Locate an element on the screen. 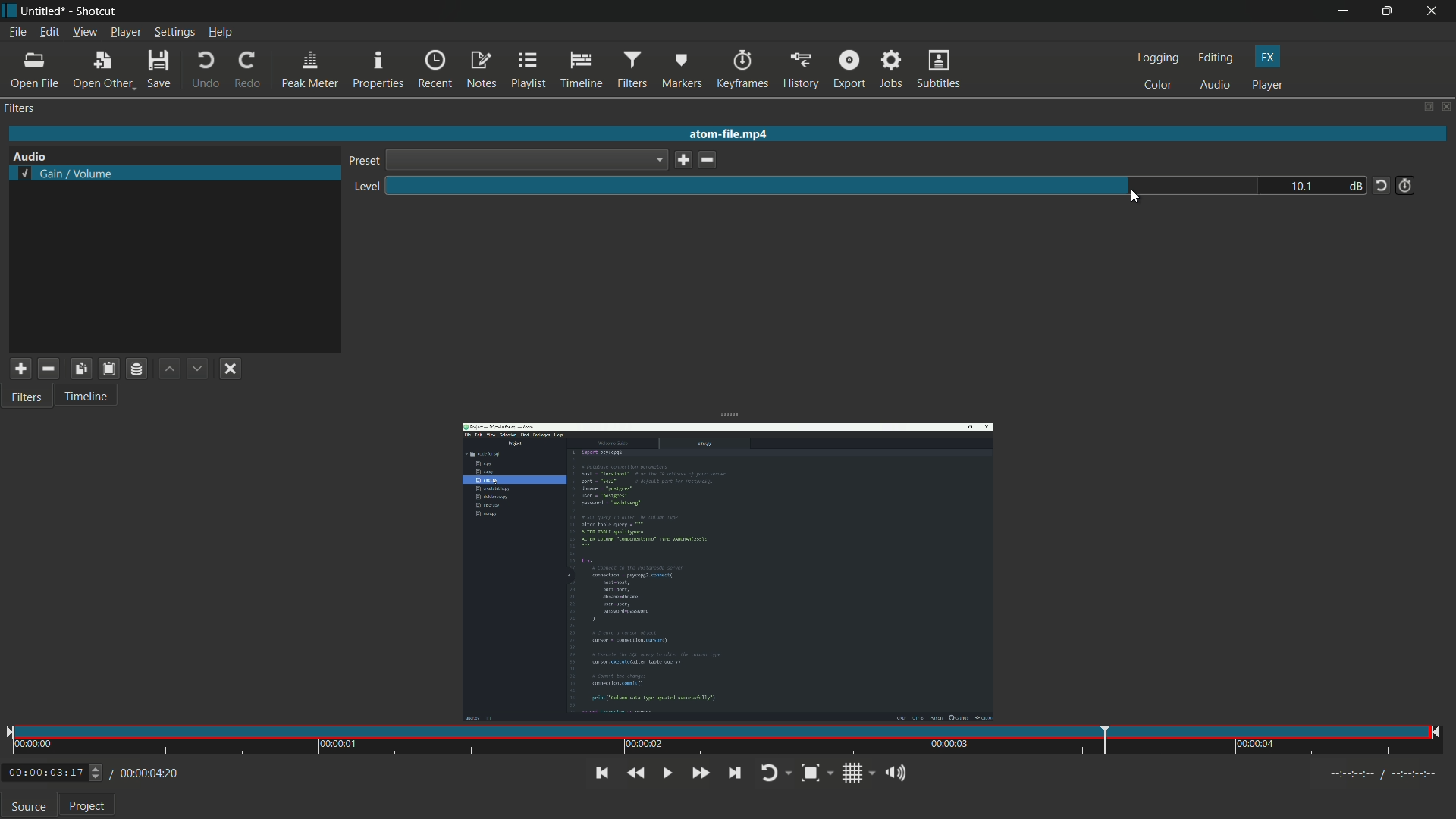 The height and width of the screenshot is (819, 1456). reset tot default is located at coordinates (1381, 185).